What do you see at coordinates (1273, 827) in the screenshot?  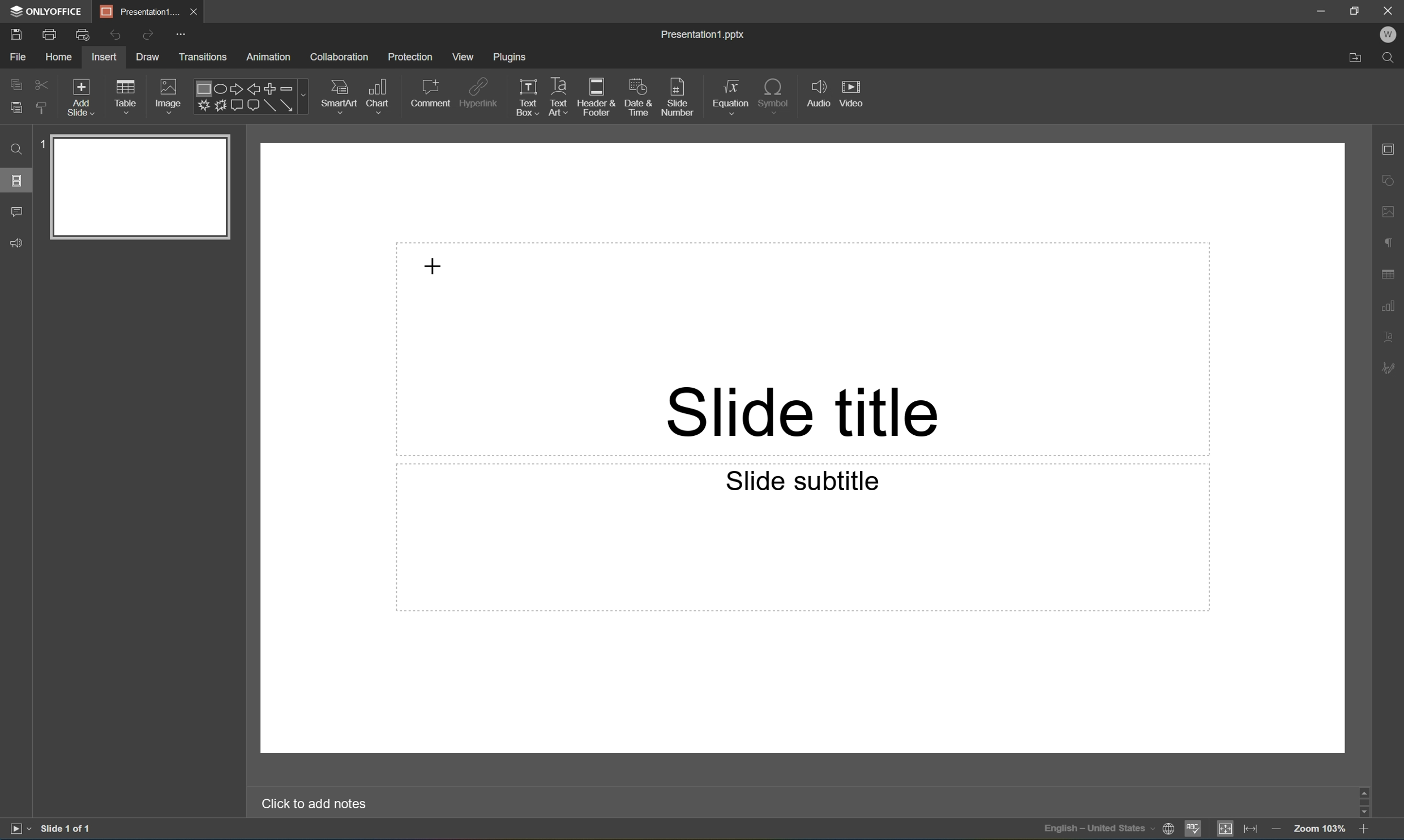 I see `Zoom out` at bounding box center [1273, 827].